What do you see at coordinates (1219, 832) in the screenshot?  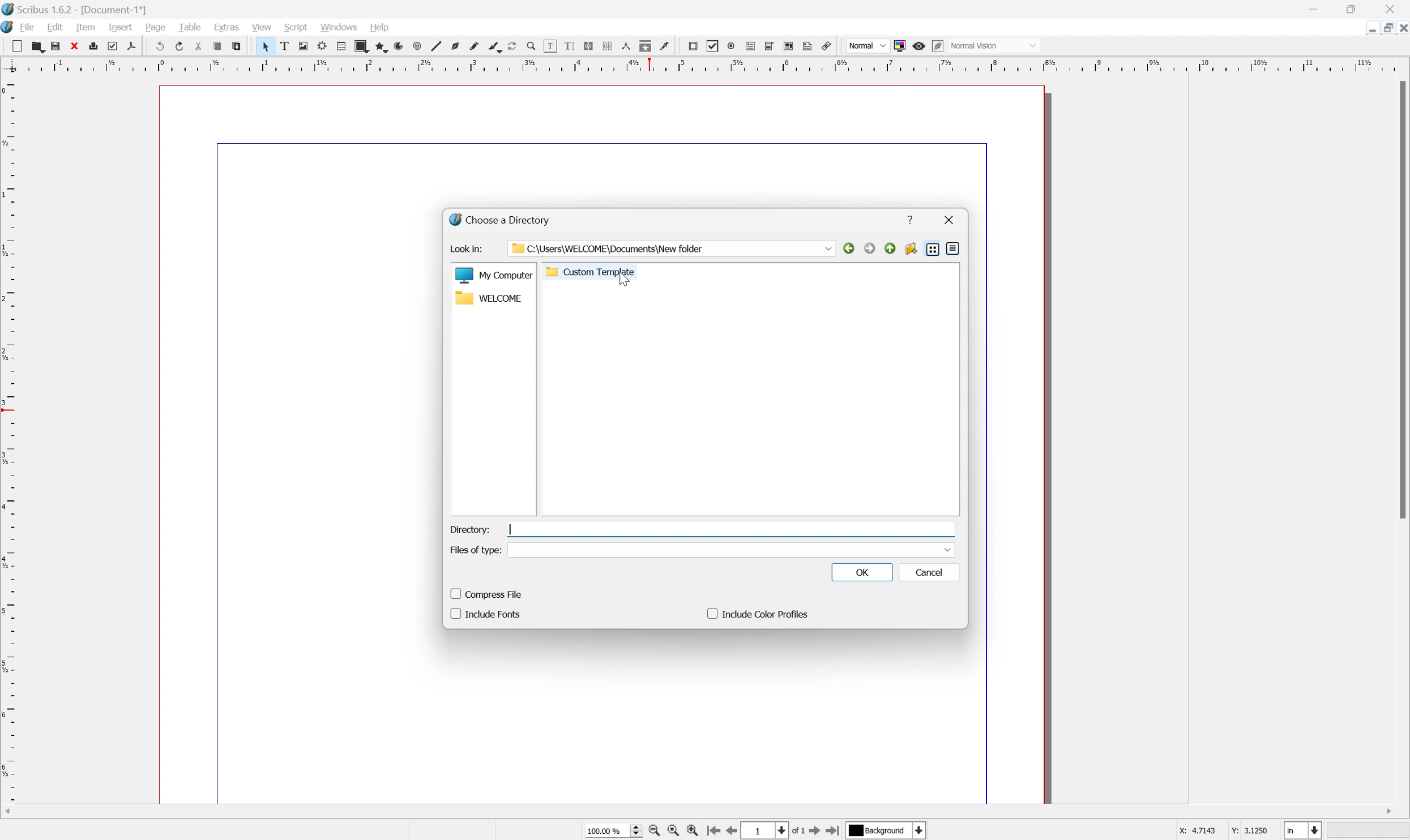 I see `X: 4.7143 Y: 3.1250` at bounding box center [1219, 832].